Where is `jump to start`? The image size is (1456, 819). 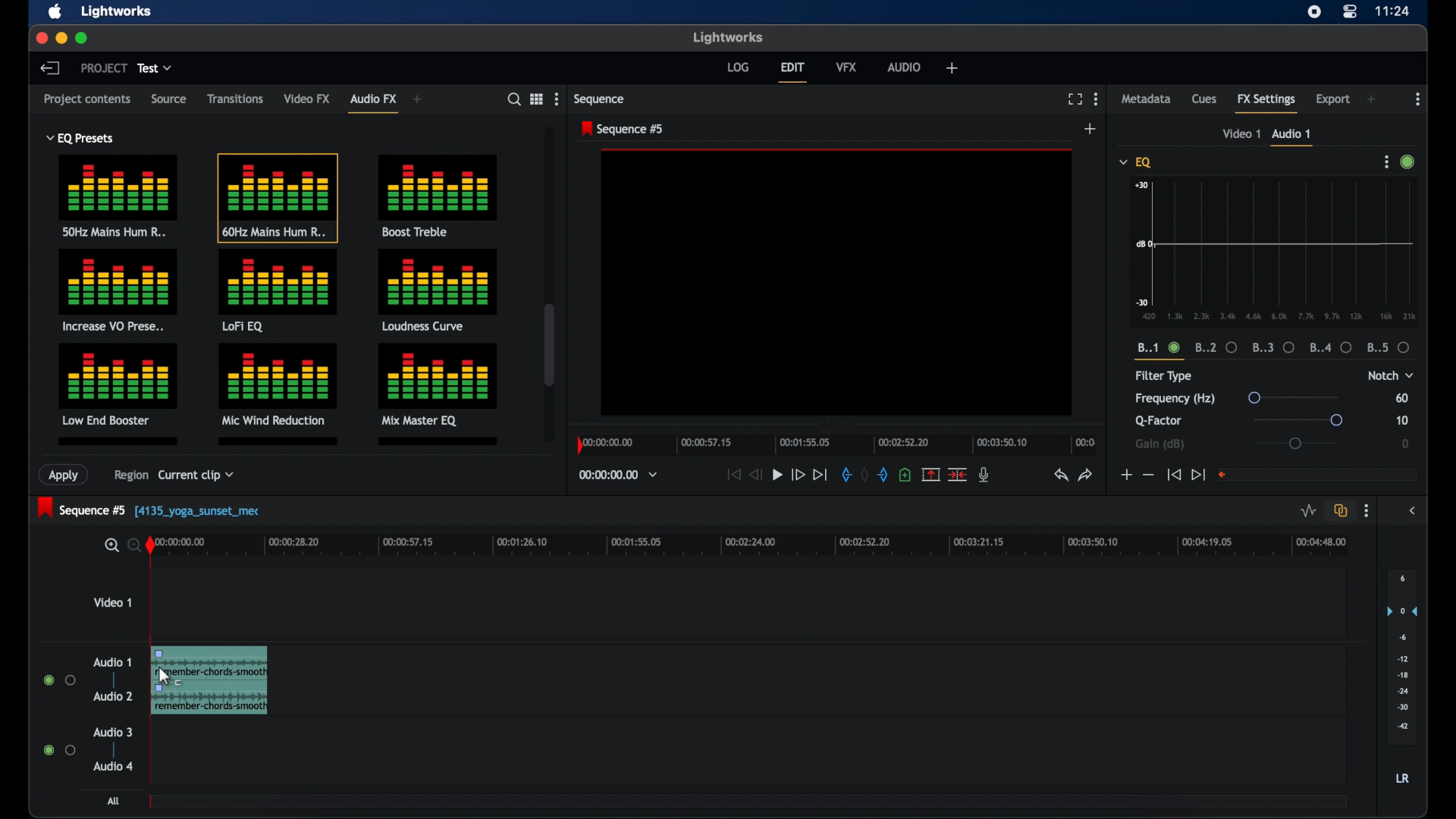
jump to start is located at coordinates (1174, 475).